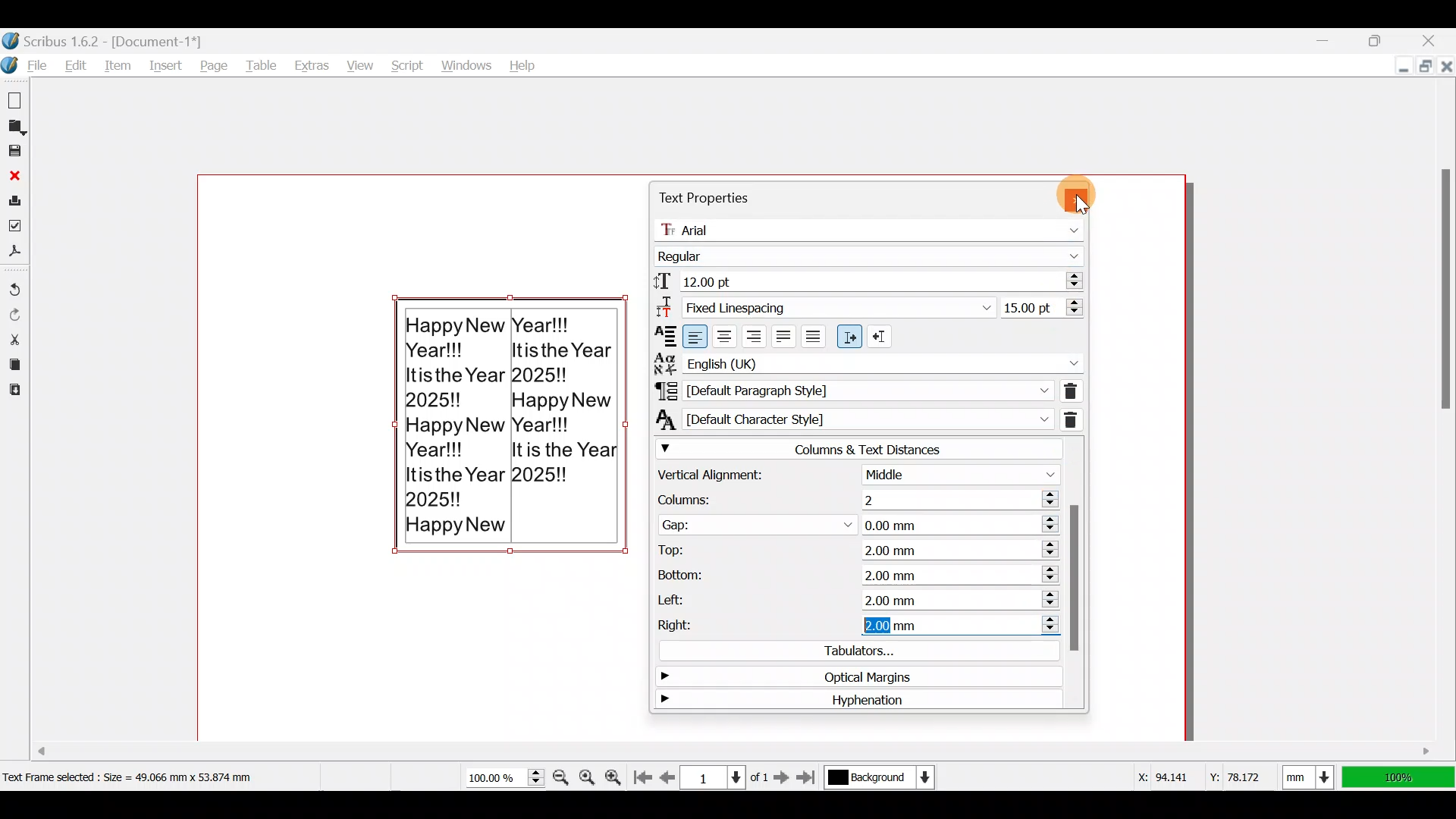 The image size is (1456, 819). What do you see at coordinates (818, 337) in the screenshot?
I see `Align text forced justified` at bounding box center [818, 337].